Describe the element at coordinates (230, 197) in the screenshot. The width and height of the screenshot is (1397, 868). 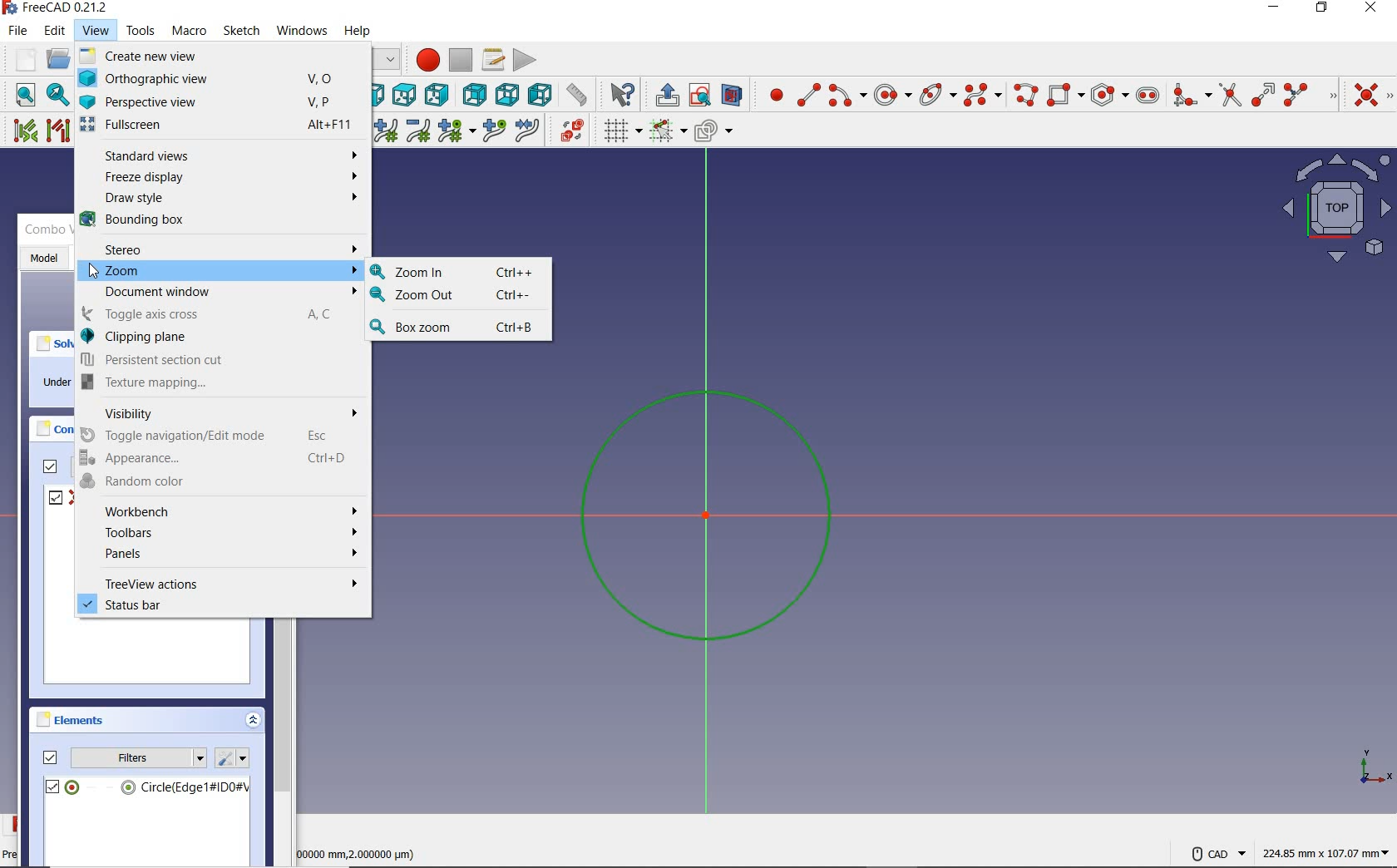
I see `Draw style` at that location.